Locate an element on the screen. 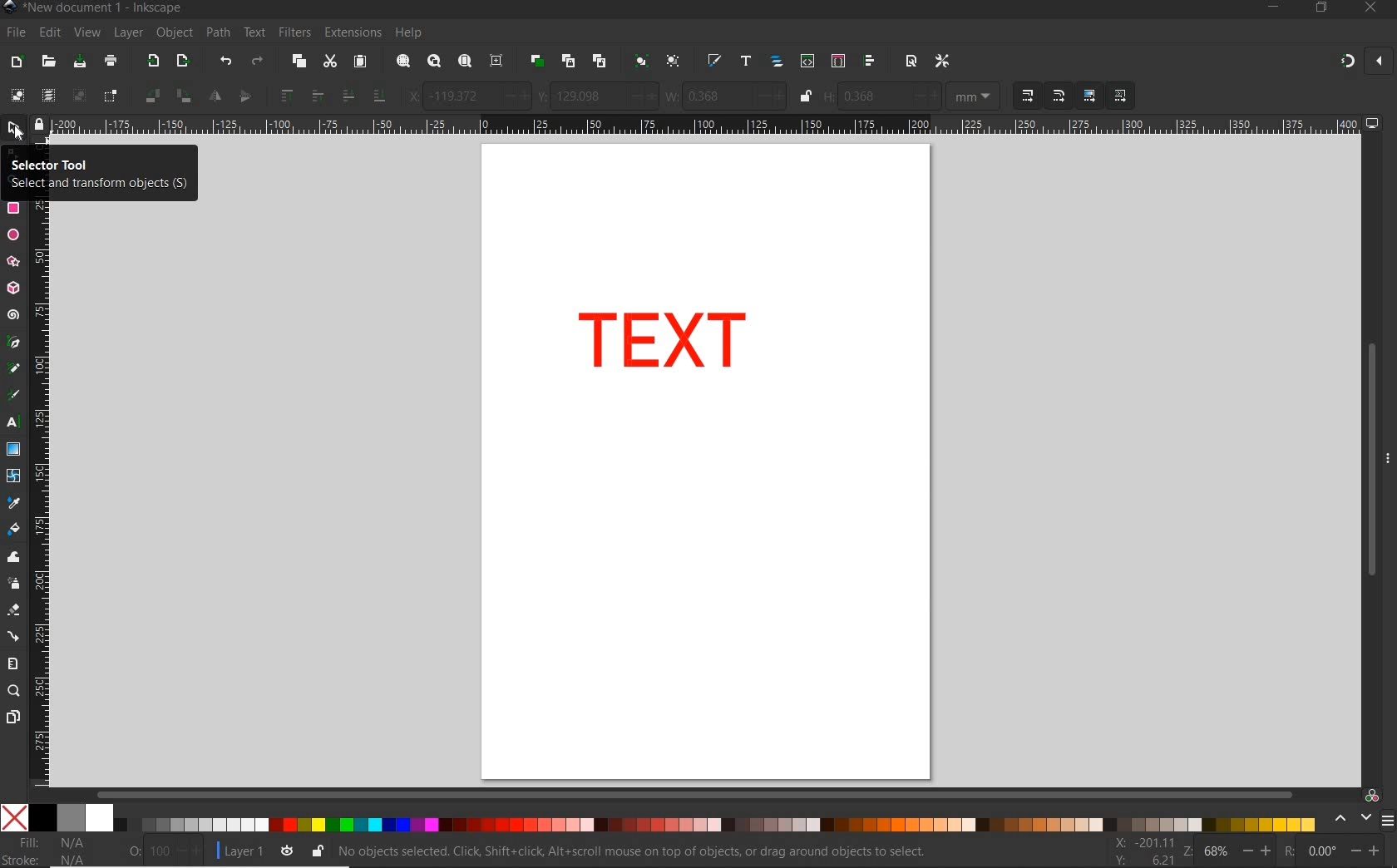 Image resolution: width=1397 pixels, height=868 pixels. OPEN EXPORT is located at coordinates (184, 62).